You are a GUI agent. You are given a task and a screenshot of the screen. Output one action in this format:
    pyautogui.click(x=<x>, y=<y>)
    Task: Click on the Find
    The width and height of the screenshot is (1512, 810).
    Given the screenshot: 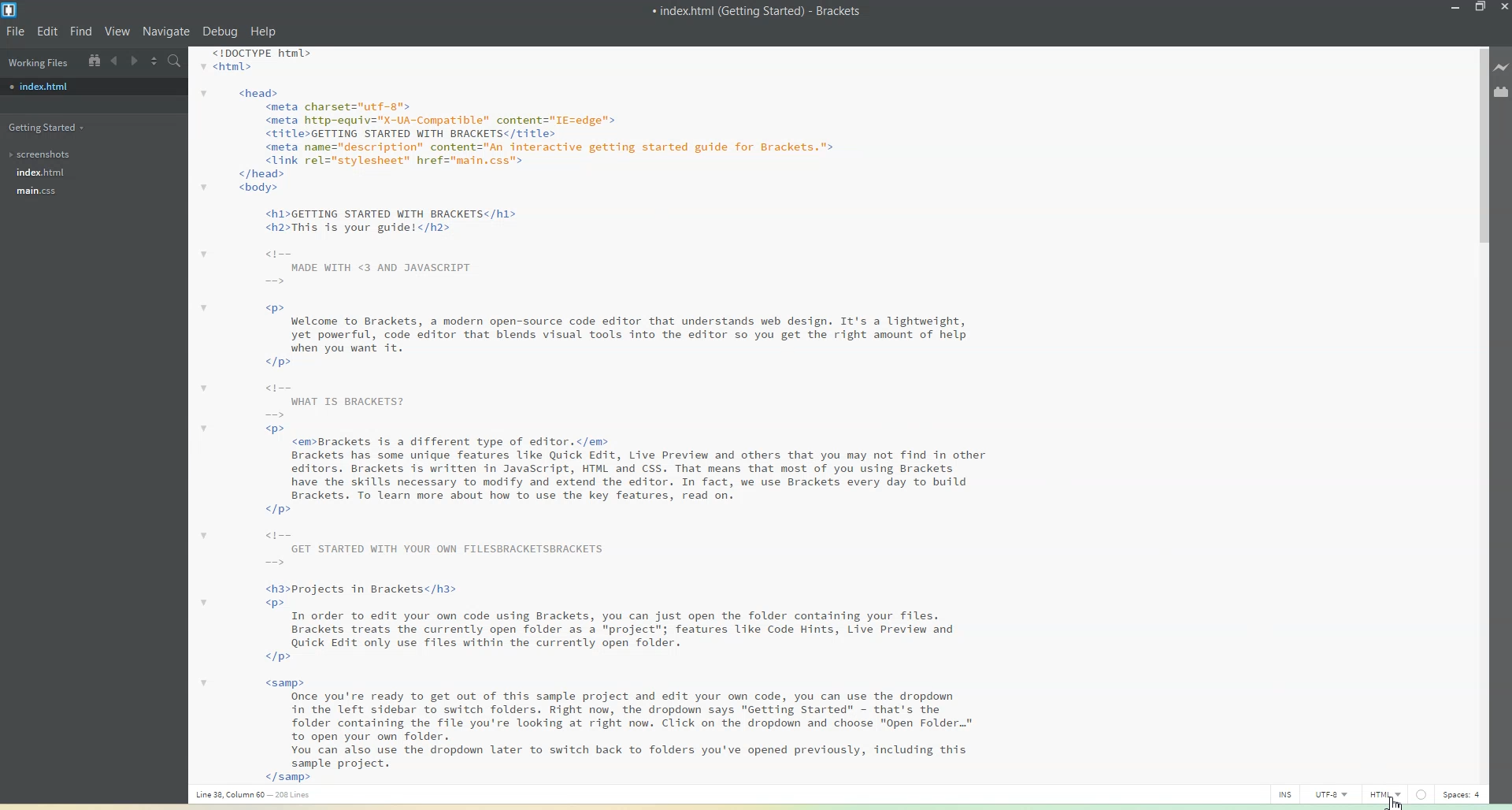 What is the action you would take?
    pyautogui.click(x=81, y=32)
    